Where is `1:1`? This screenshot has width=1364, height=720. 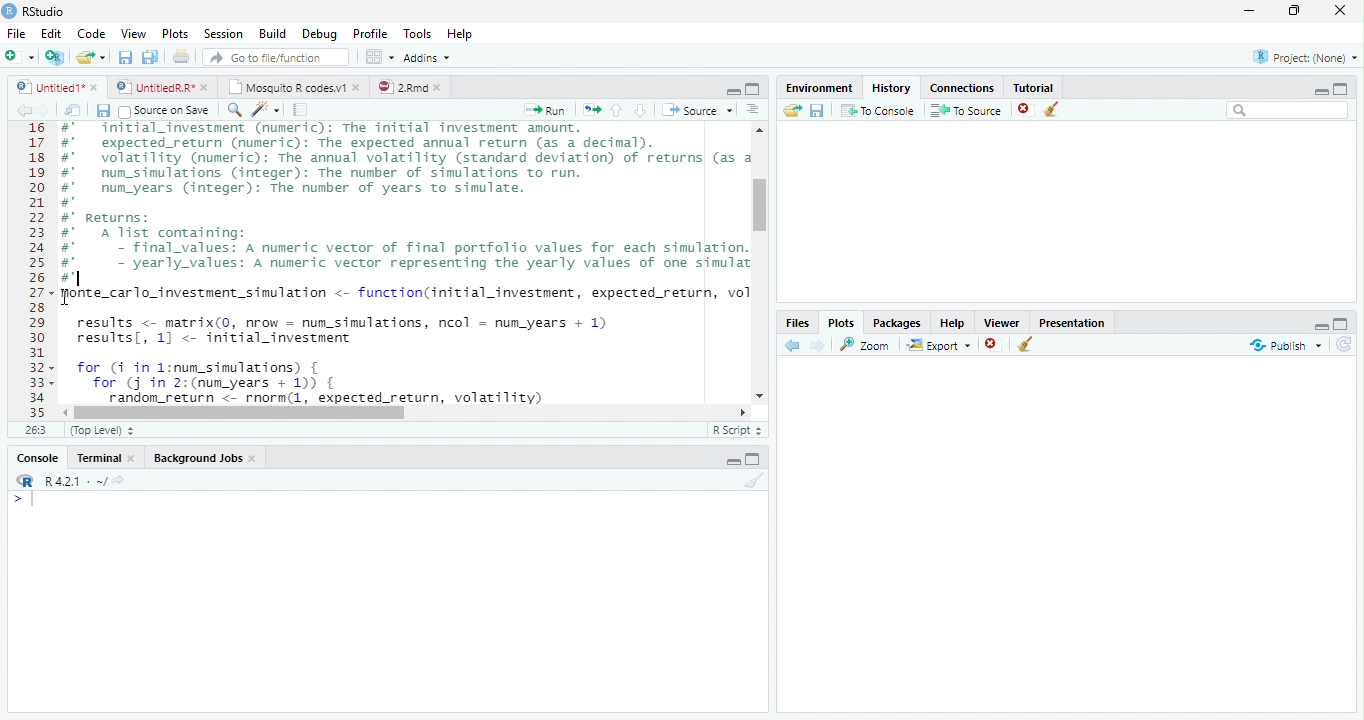 1:1 is located at coordinates (34, 430).